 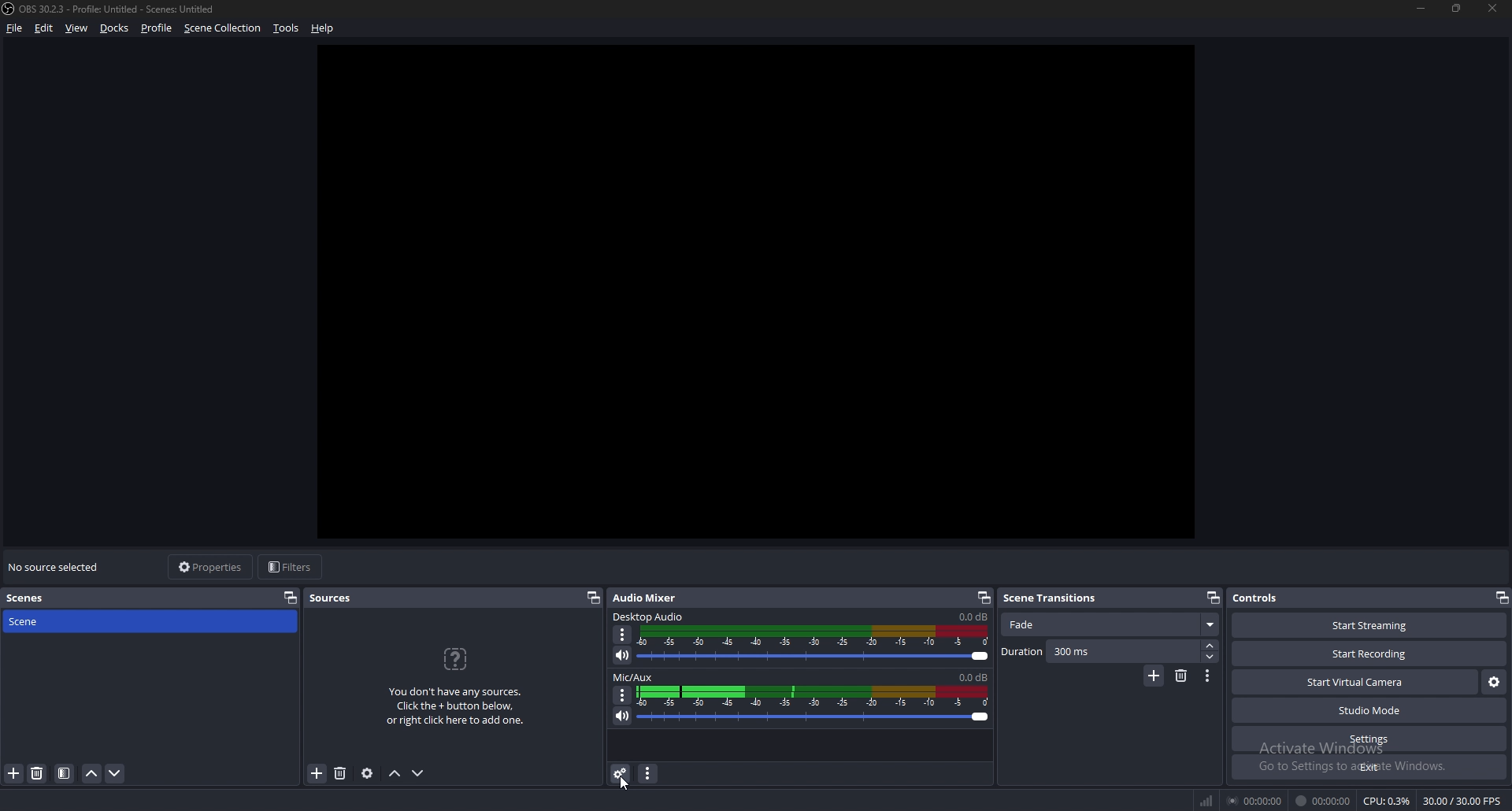 What do you see at coordinates (621, 716) in the screenshot?
I see `mute` at bounding box center [621, 716].